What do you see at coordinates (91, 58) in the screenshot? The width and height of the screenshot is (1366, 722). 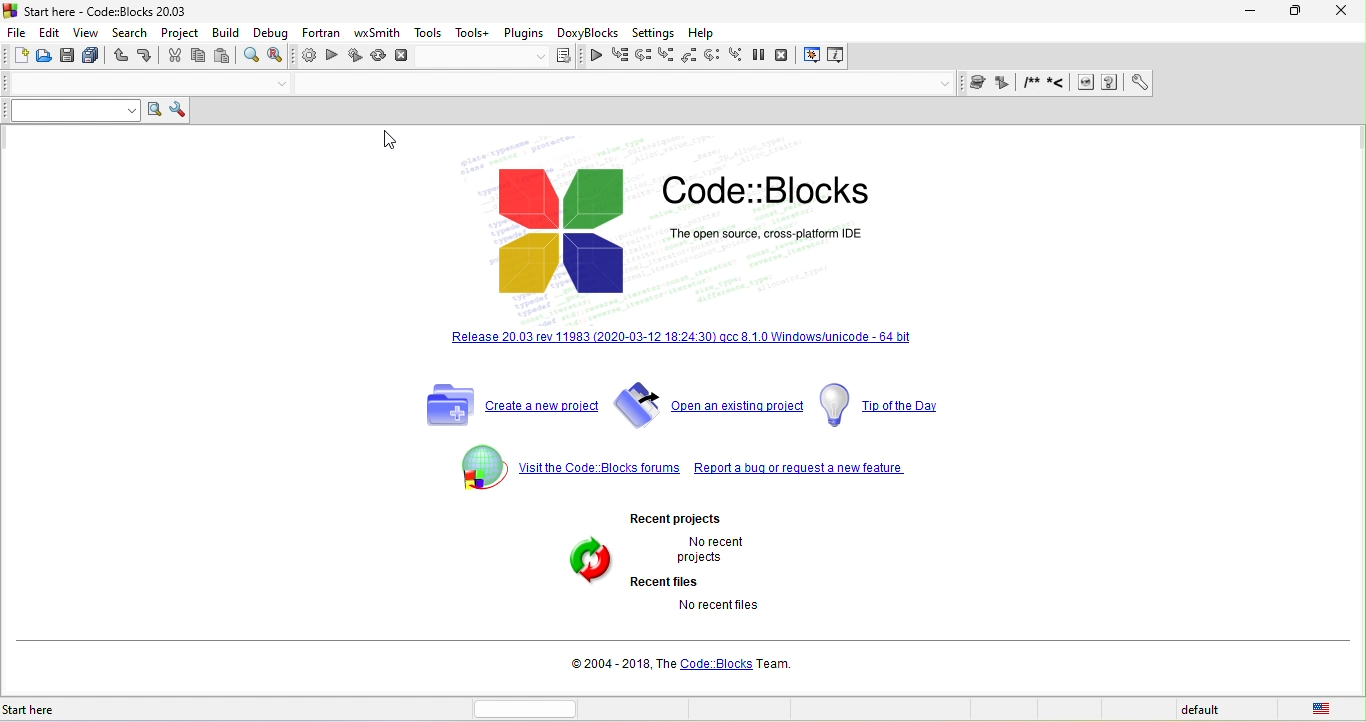 I see `save everything` at bounding box center [91, 58].